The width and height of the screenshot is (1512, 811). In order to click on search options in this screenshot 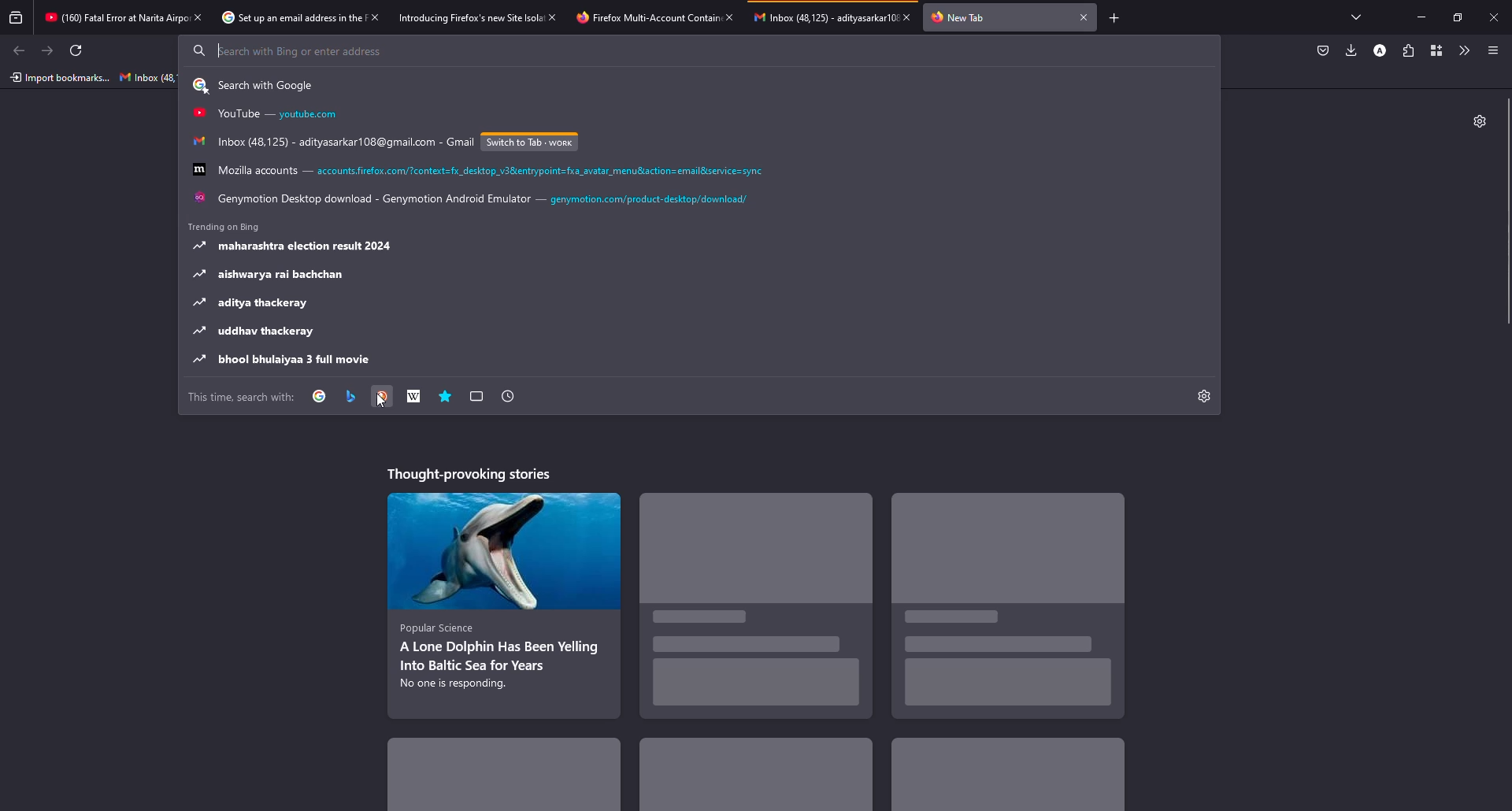, I will do `click(299, 246)`.